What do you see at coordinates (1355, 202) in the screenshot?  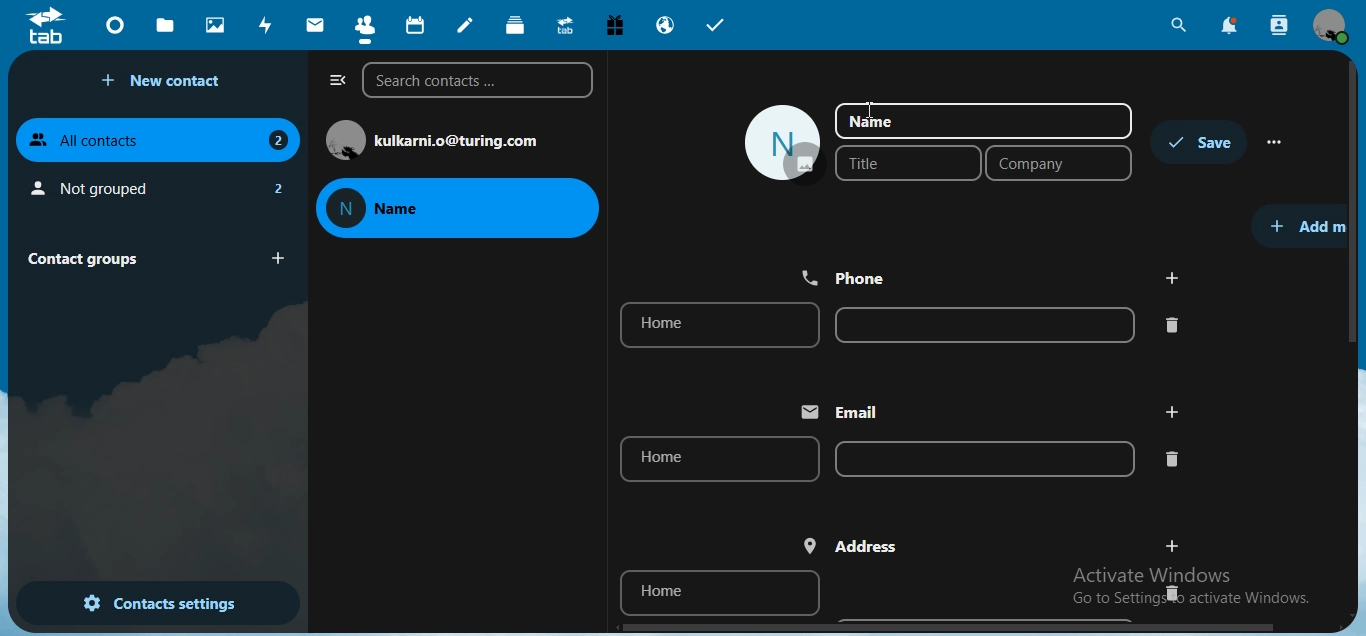 I see `scroll bar` at bounding box center [1355, 202].